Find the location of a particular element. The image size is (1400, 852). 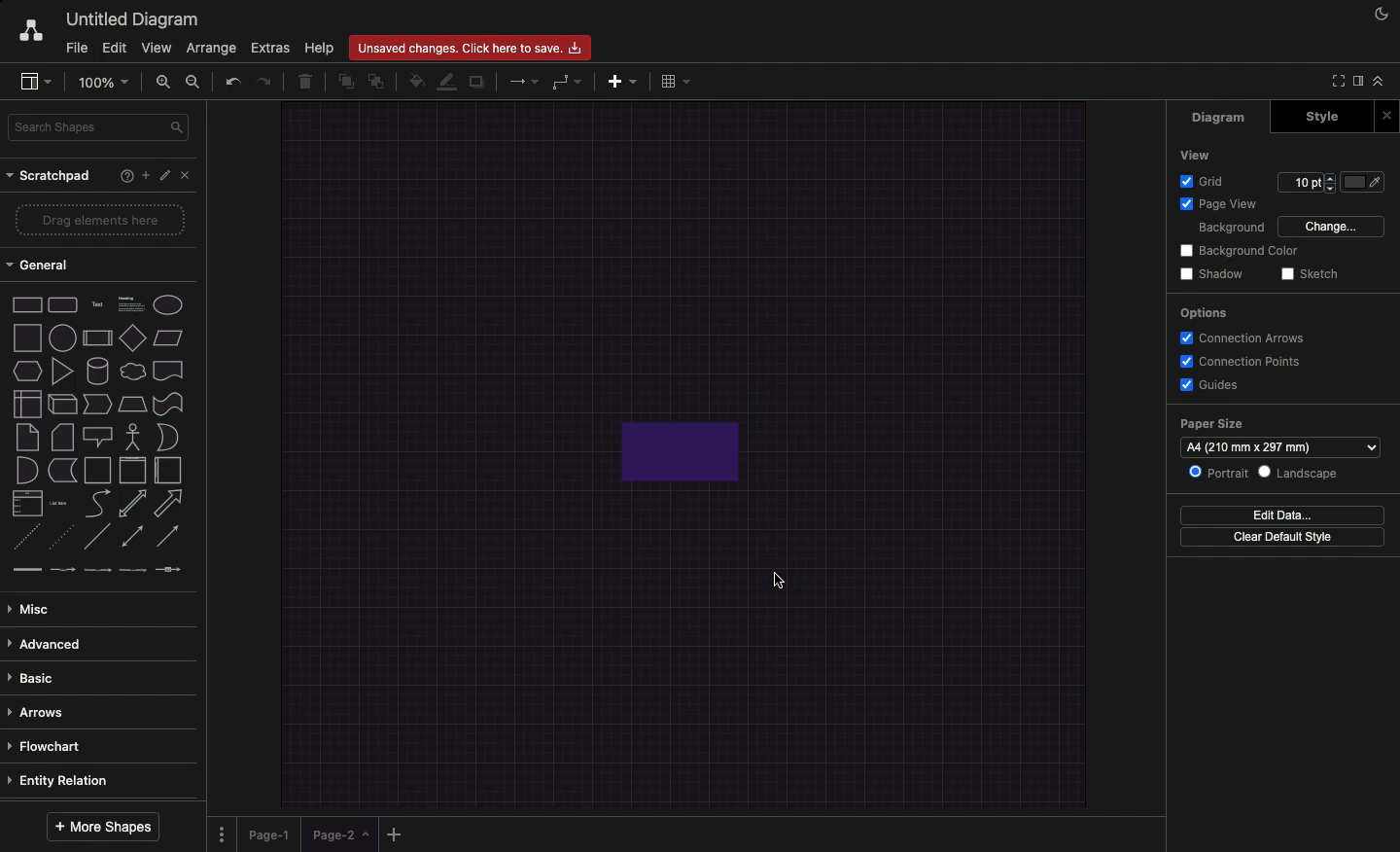

Line color is located at coordinates (450, 81).